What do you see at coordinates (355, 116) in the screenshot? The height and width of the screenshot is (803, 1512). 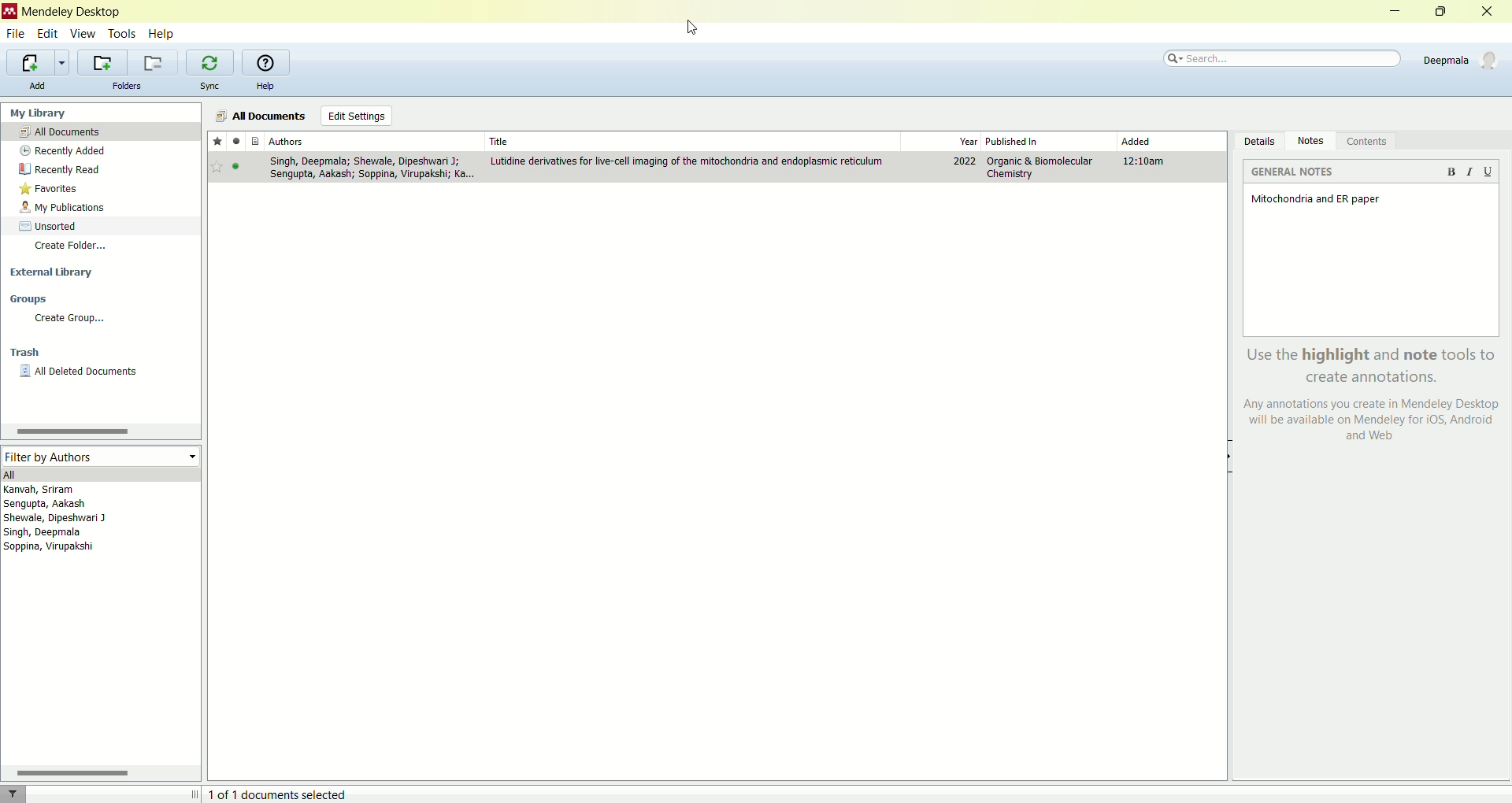 I see `edit settings` at bounding box center [355, 116].